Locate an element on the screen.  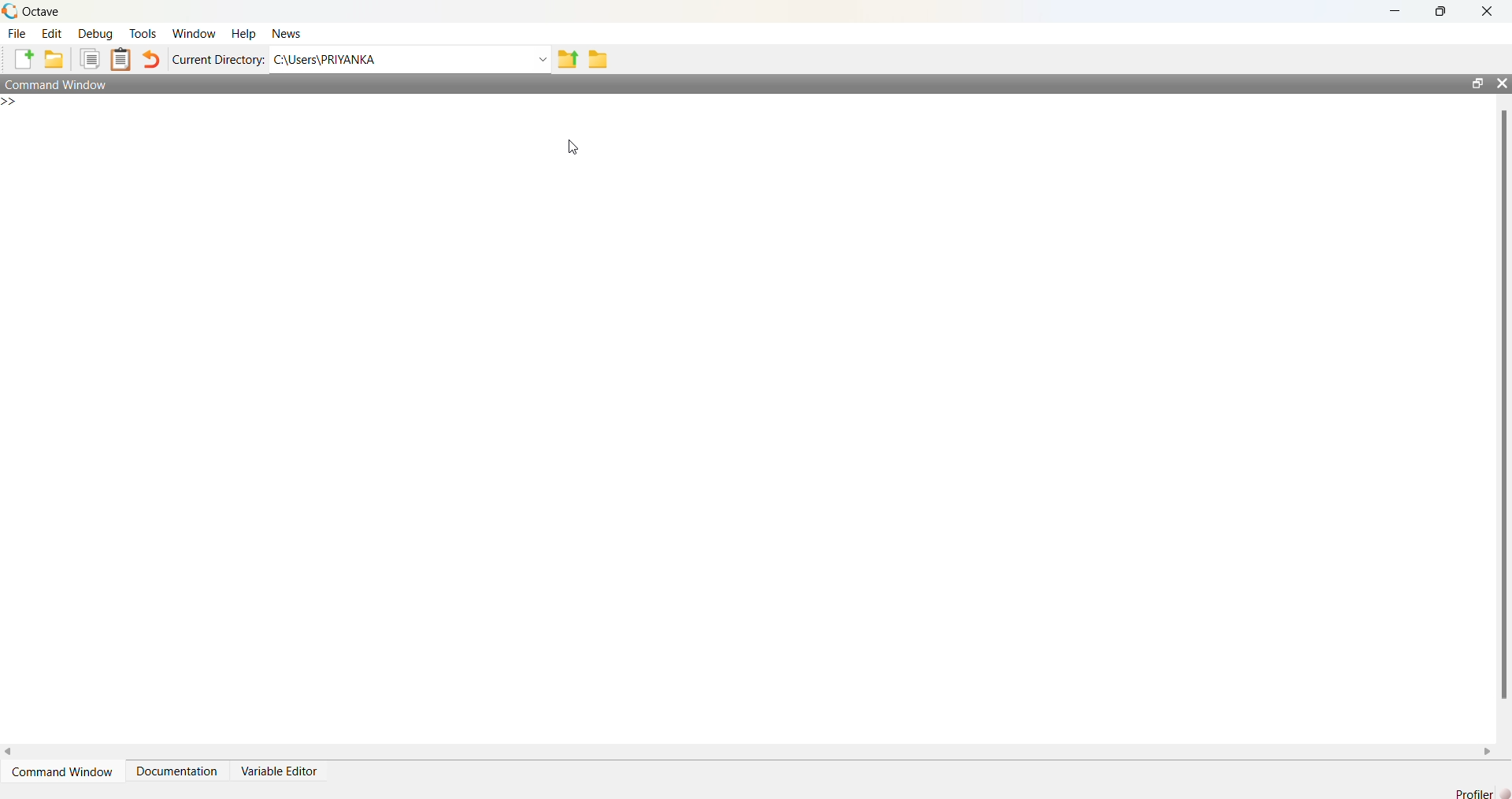
cursor is located at coordinates (573, 147).